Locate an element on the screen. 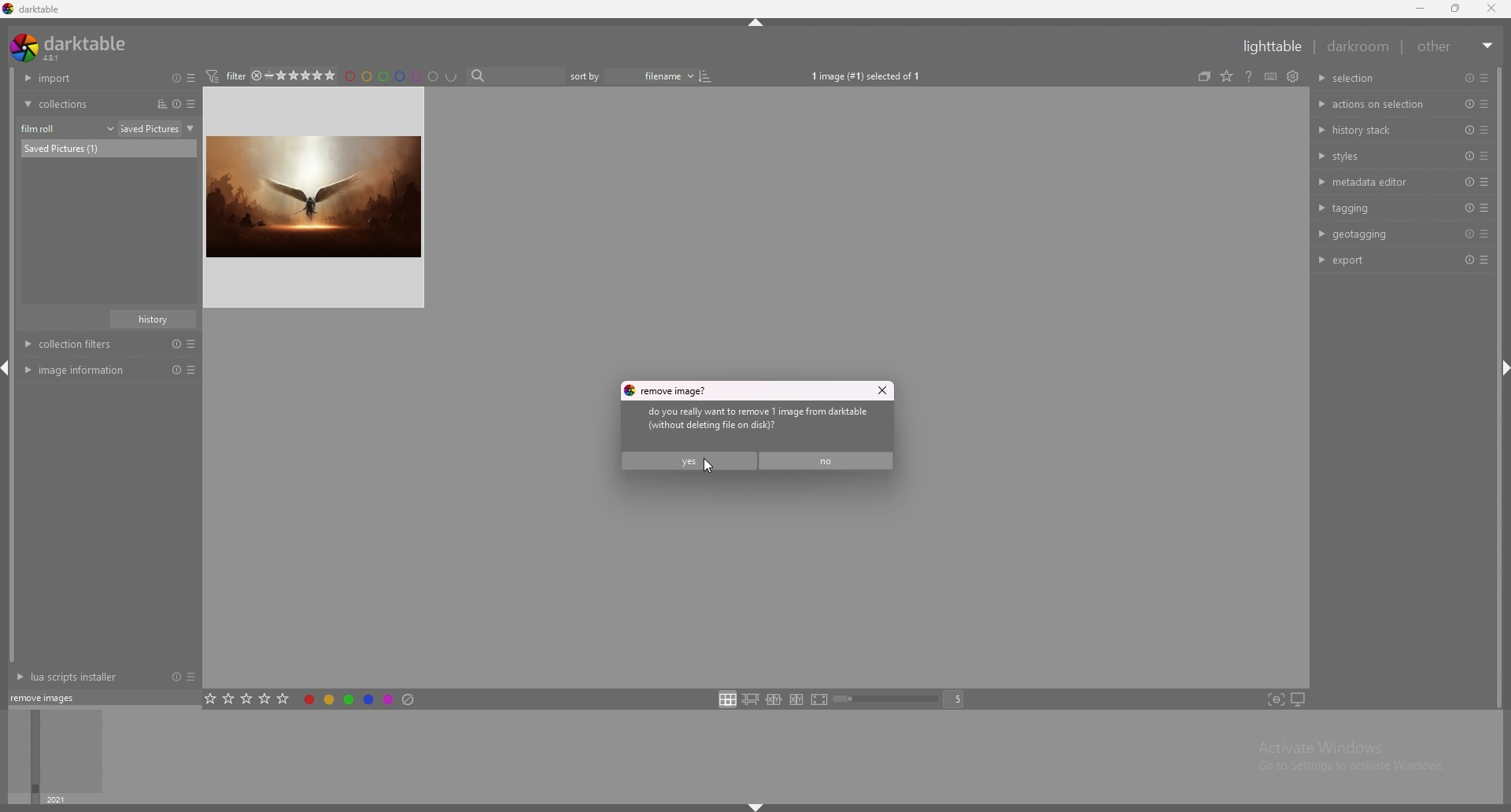  reset is located at coordinates (1467, 183).